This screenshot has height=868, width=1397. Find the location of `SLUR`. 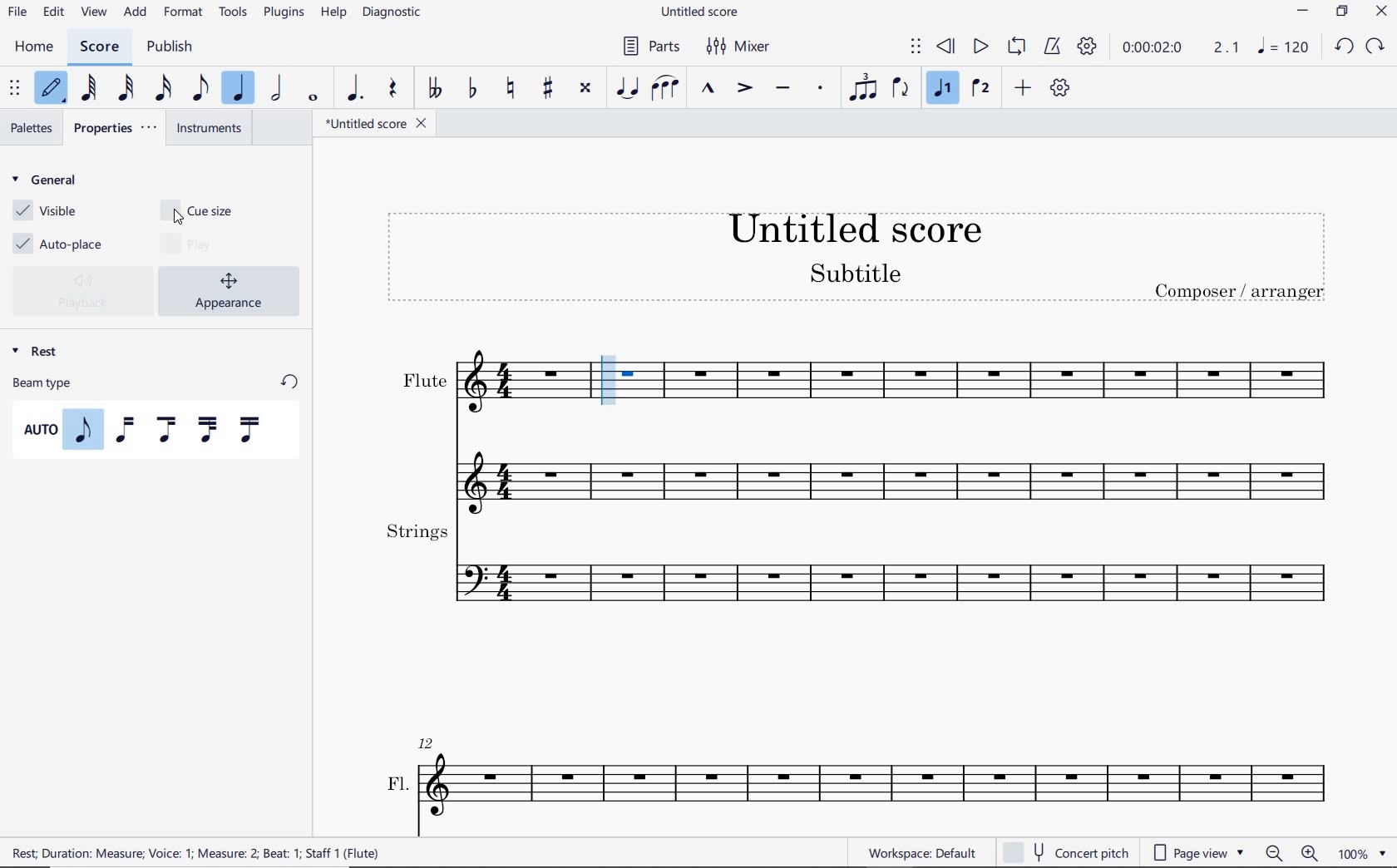

SLUR is located at coordinates (664, 87).